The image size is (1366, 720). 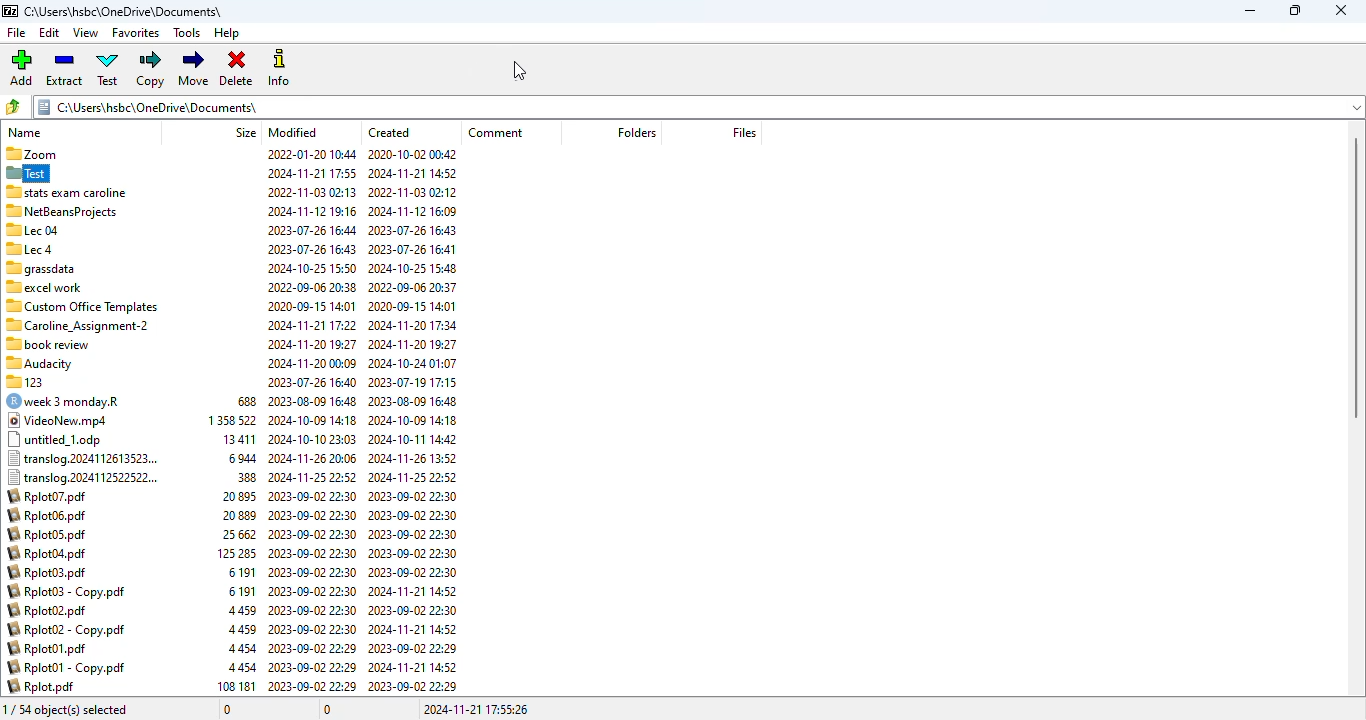 I want to click on 2023-09-02 22:30, so click(x=313, y=611).